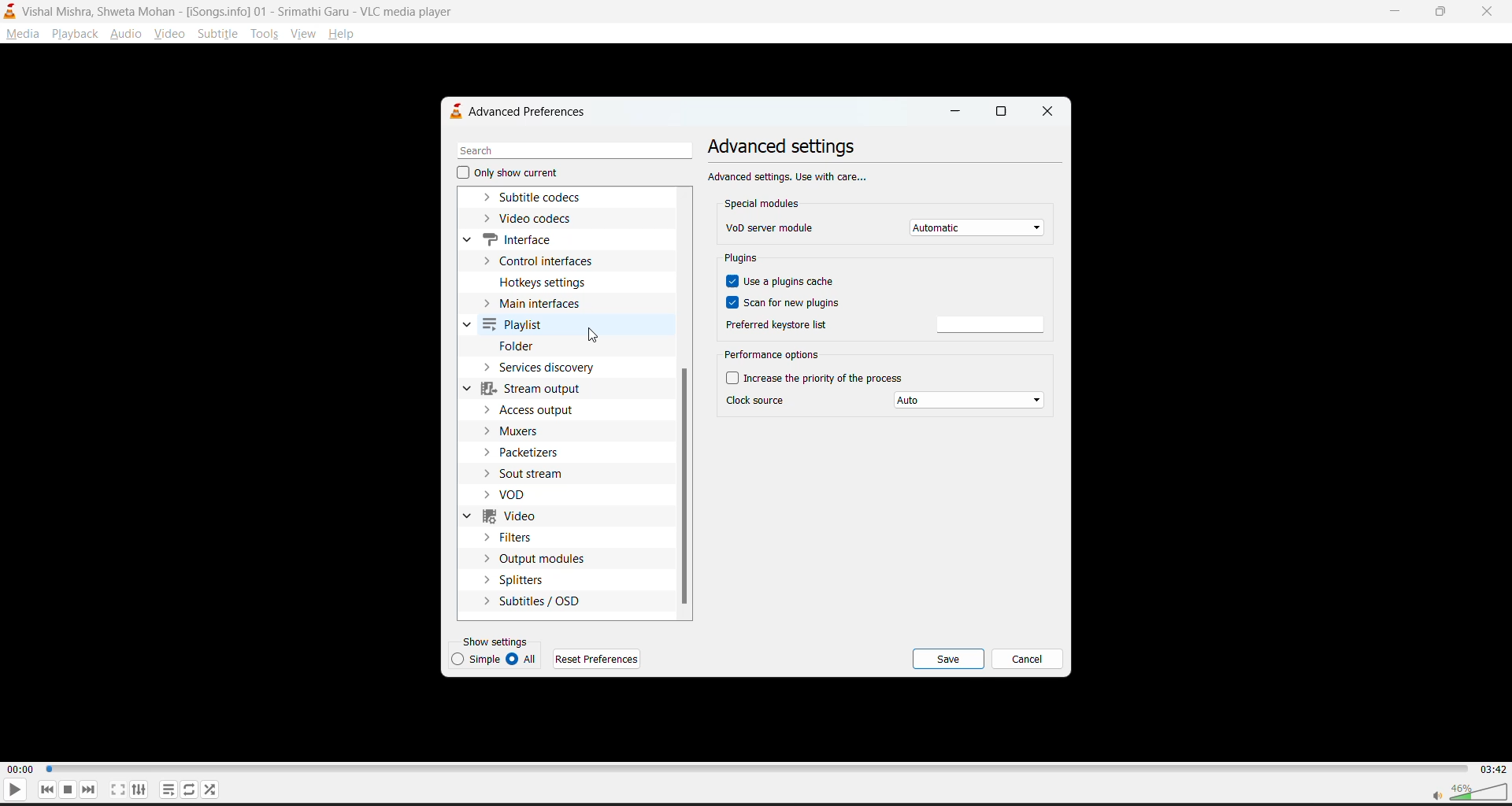 The image size is (1512, 806). Describe the element at coordinates (524, 660) in the screenshot. I see `all` at that location.